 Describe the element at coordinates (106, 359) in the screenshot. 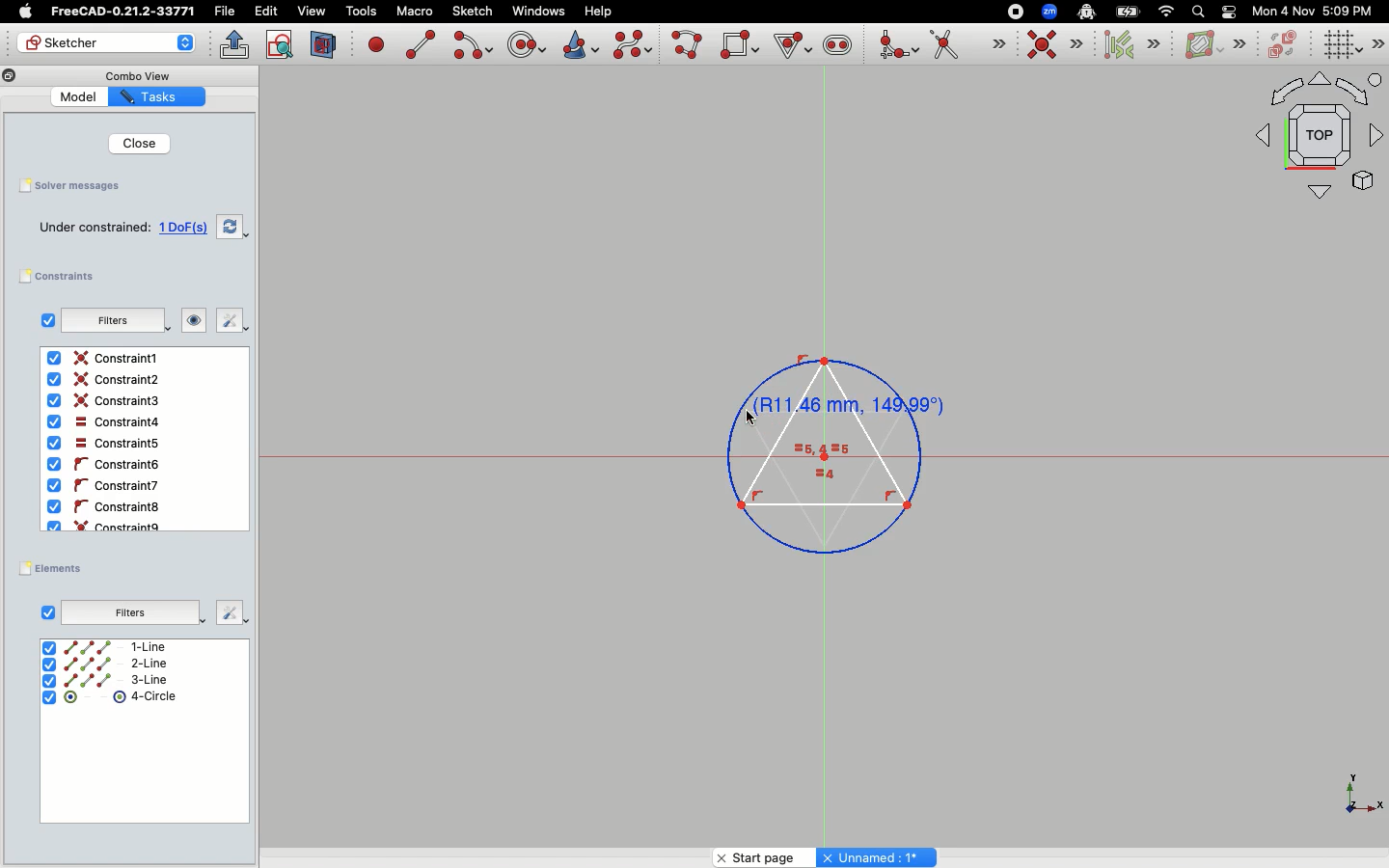

I see `Constraint1` at that location.